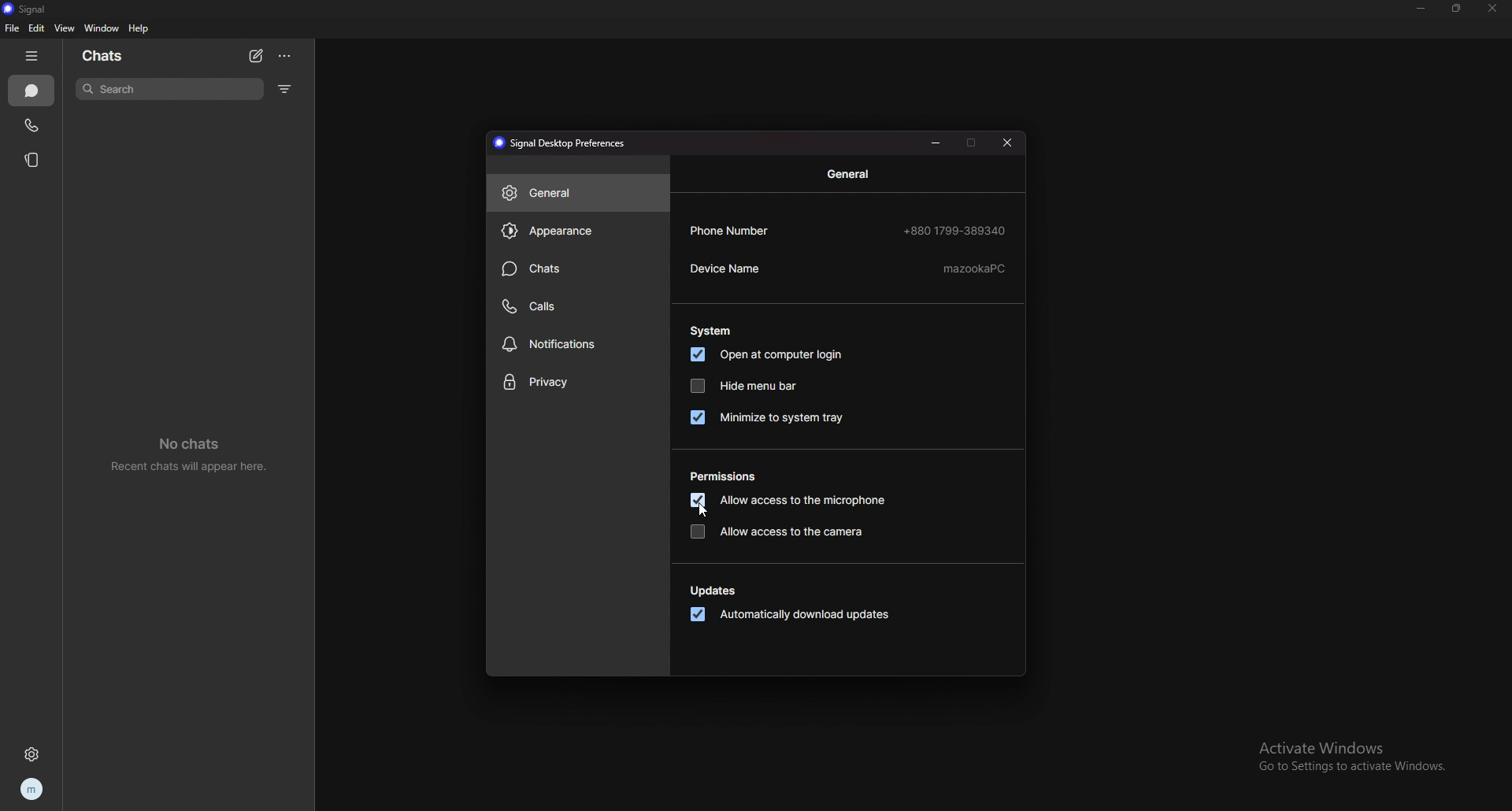 This screenshot has width=1512, height=811. What do you see at coordinates (1492, 9) in the screenshot?
I see `close` at bounding box center [1492, 9].